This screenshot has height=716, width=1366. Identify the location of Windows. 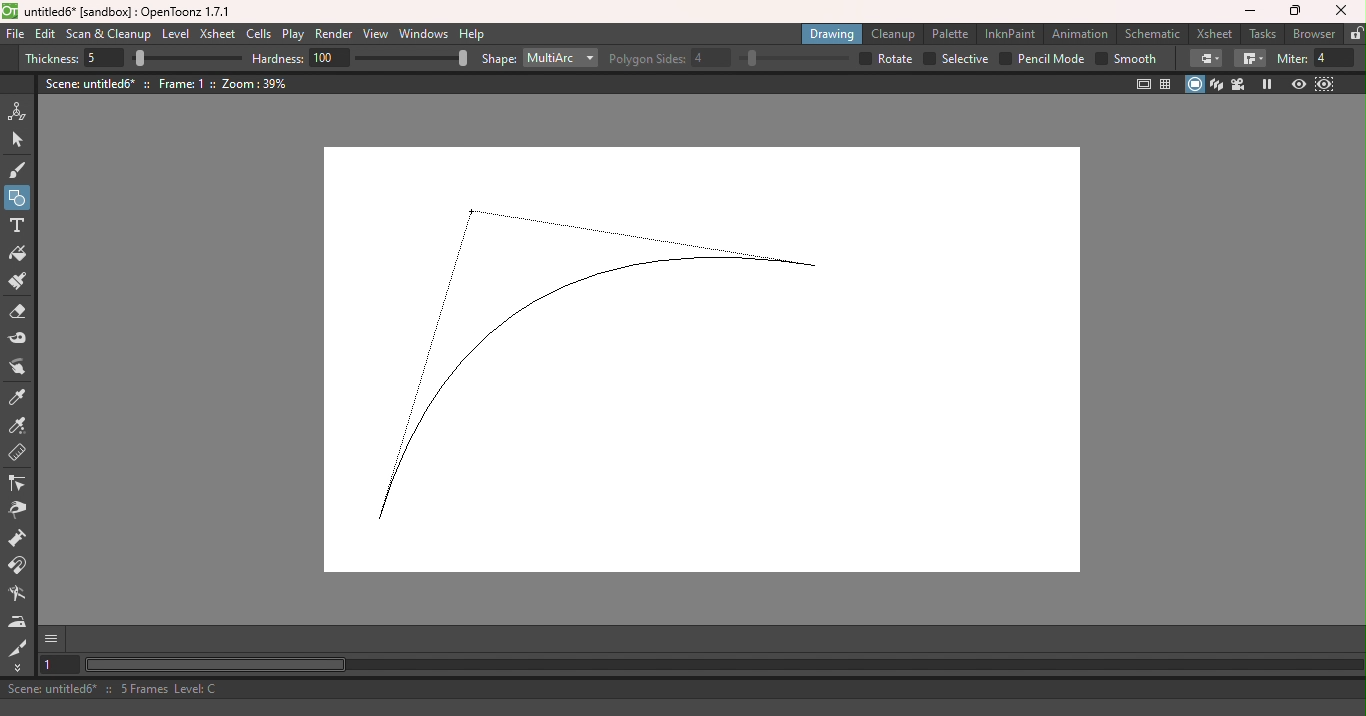
(424, 34).